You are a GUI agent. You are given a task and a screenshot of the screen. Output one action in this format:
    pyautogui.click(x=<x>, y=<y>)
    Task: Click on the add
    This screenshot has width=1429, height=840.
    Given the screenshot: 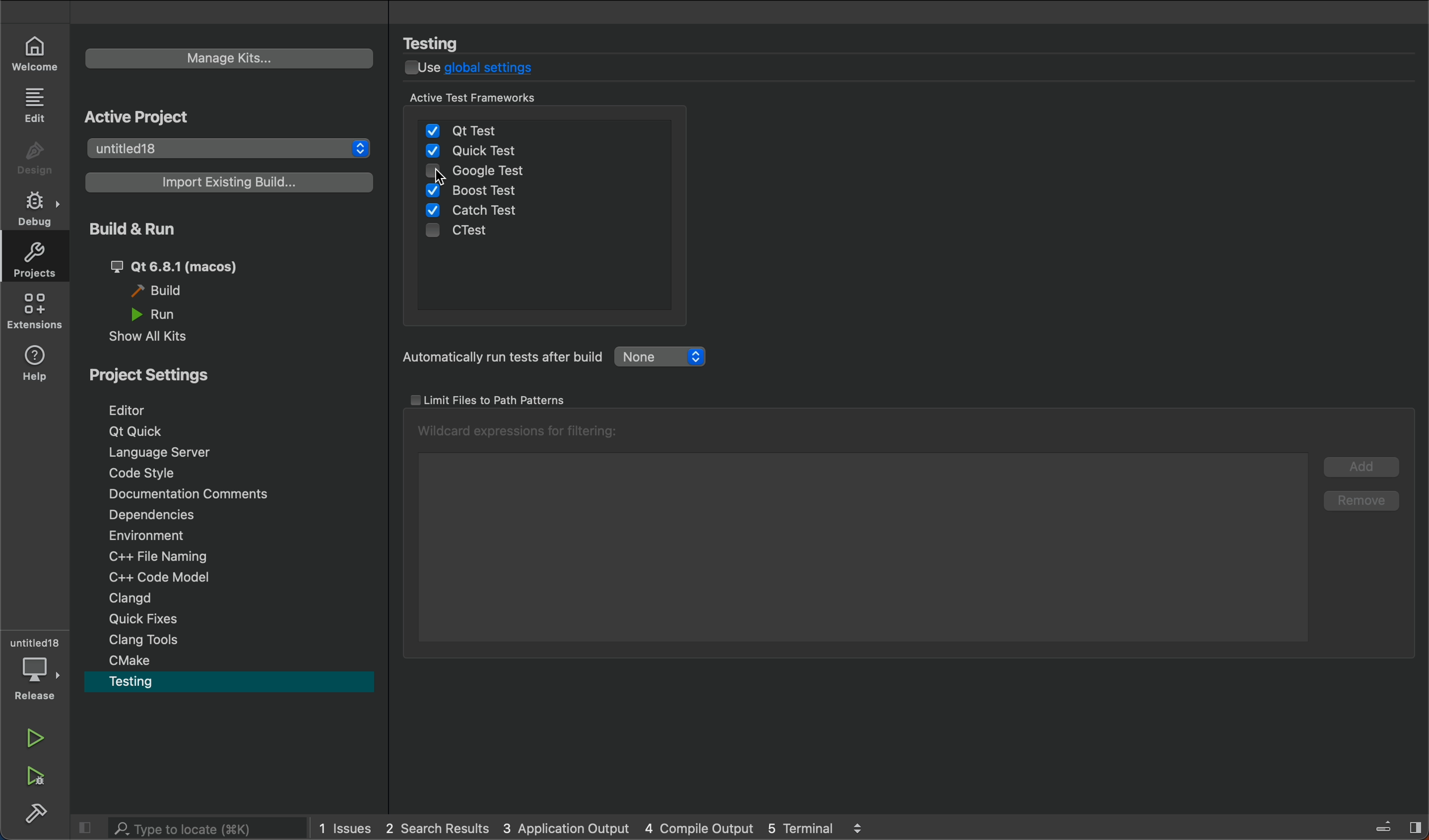 What is the action you would take?
    pyautogui.click(x=1357, y=470)
    